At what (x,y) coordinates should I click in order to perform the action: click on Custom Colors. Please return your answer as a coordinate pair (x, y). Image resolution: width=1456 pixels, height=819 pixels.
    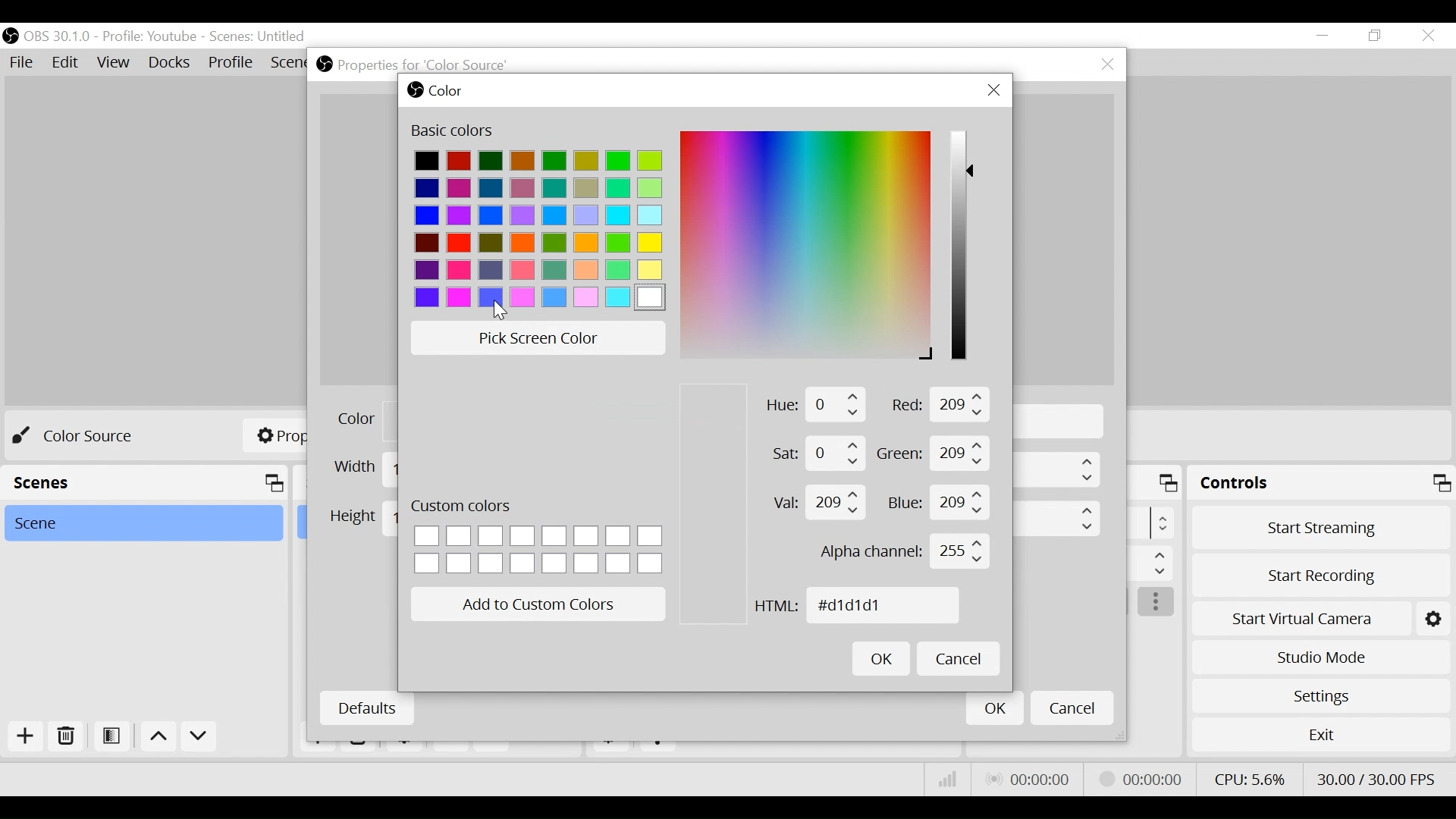
    Looking at the image, I should click on (463, 507).